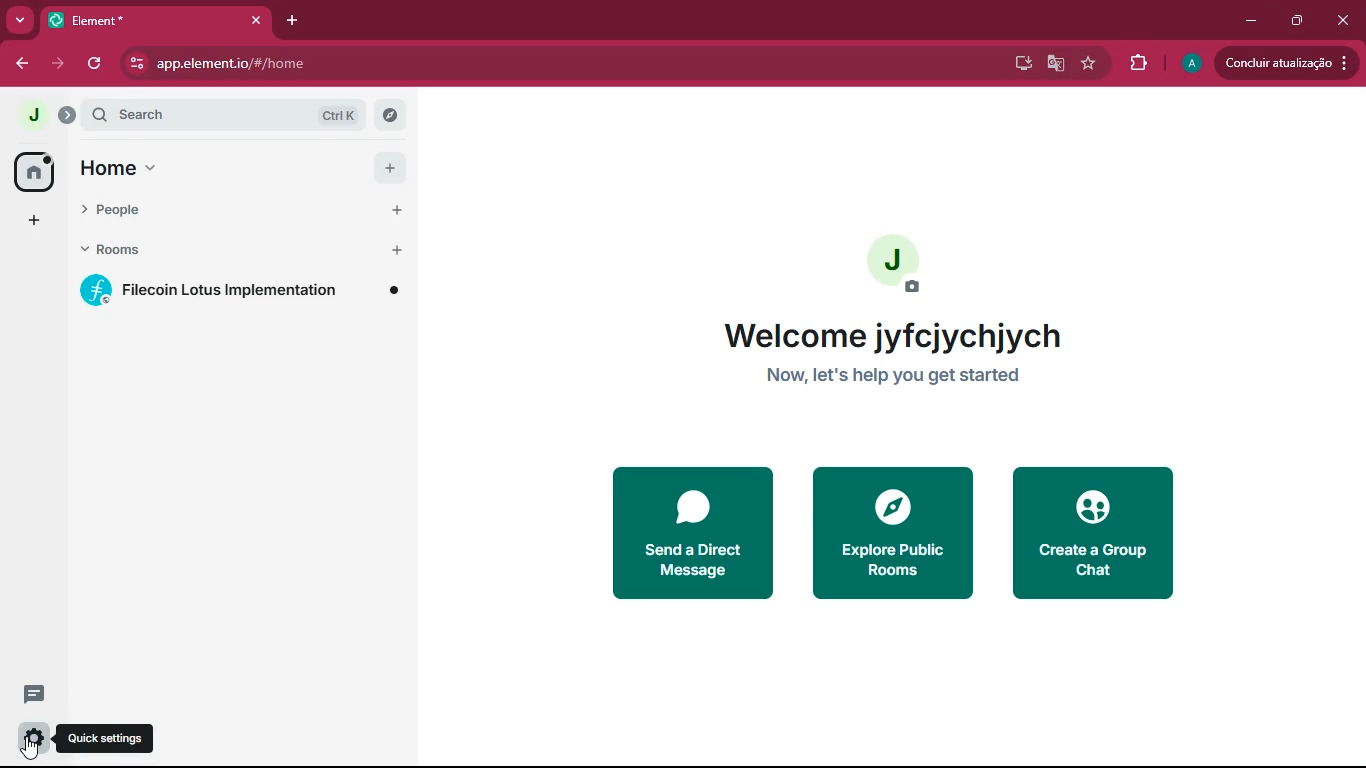  What do you see at coordinates (96, 63) in the screenshot?
I see `refersh` at bounding box center [96, 63].